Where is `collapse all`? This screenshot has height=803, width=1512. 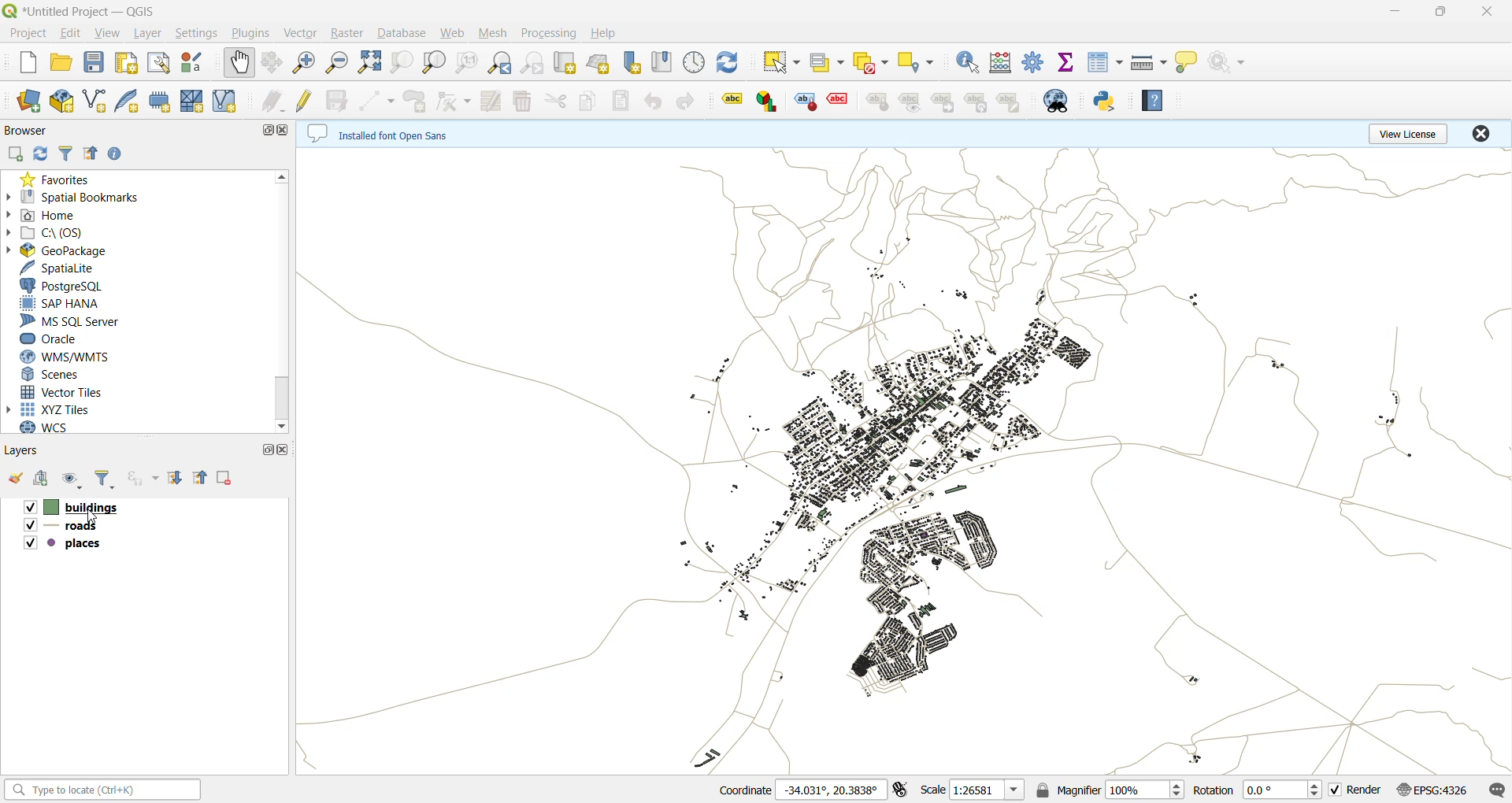 collapse all is located at coordinates (93, 153).